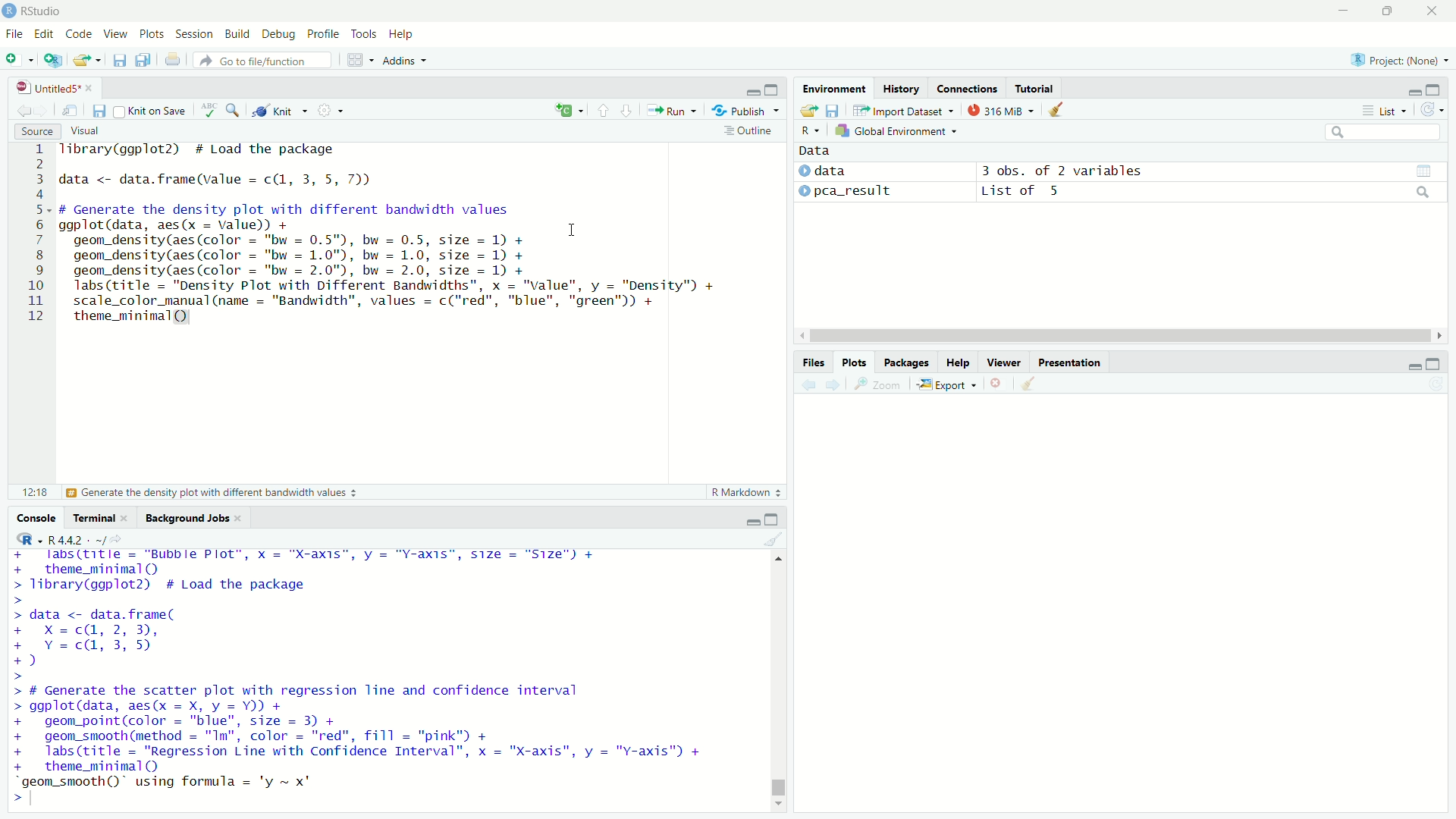 The image size is (1456, 819). Describe the element at coordinates (1023, 192) in the screenshot. I see `List of 5` at that location.